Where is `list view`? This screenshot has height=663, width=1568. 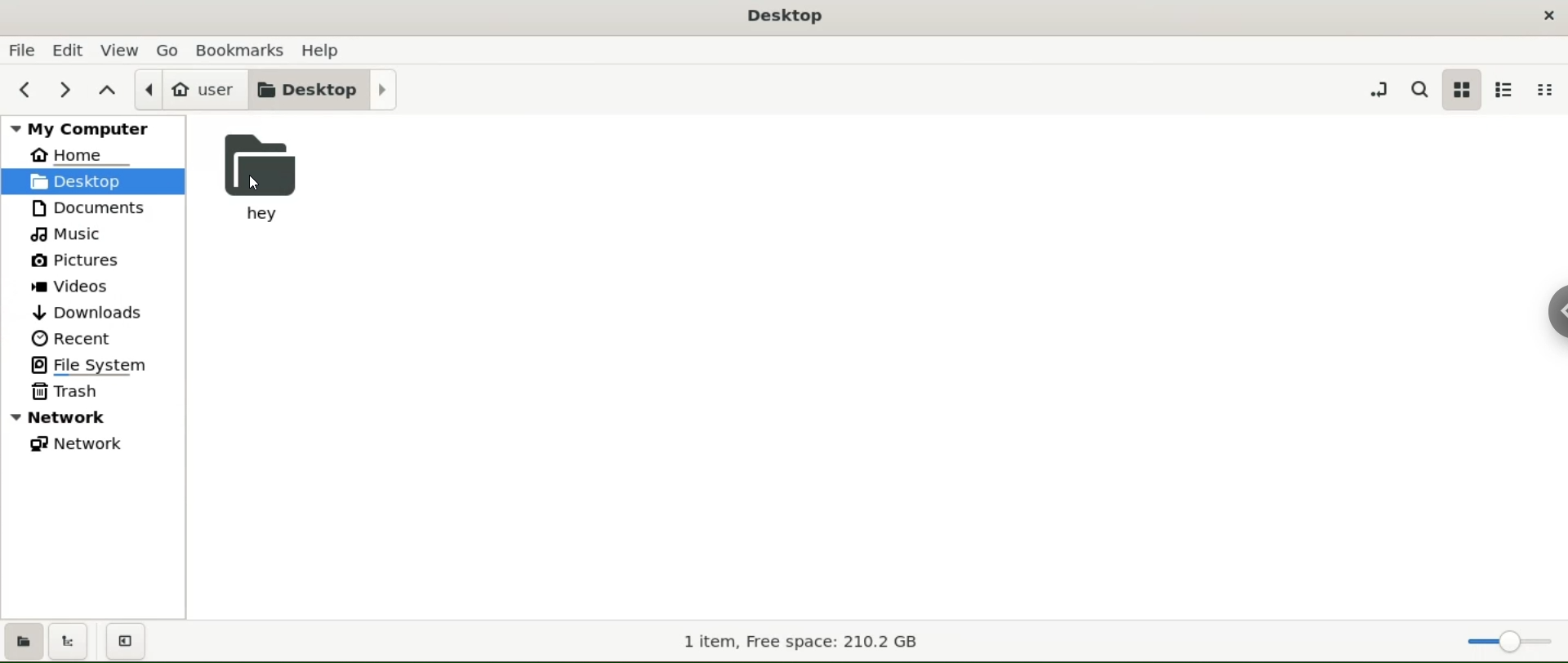
list view is located at coordinates (1506, 90).